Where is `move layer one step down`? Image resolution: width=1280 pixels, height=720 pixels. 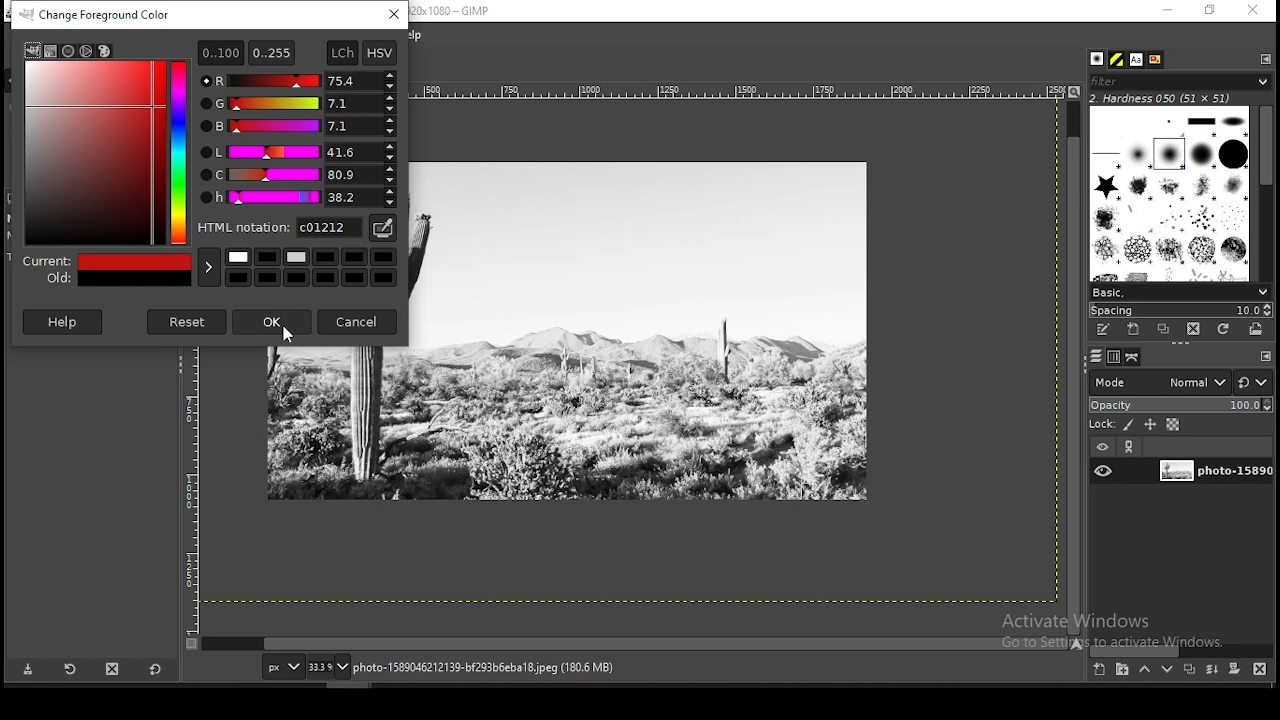 move layer one step down is located at coordinates (1167, 669).